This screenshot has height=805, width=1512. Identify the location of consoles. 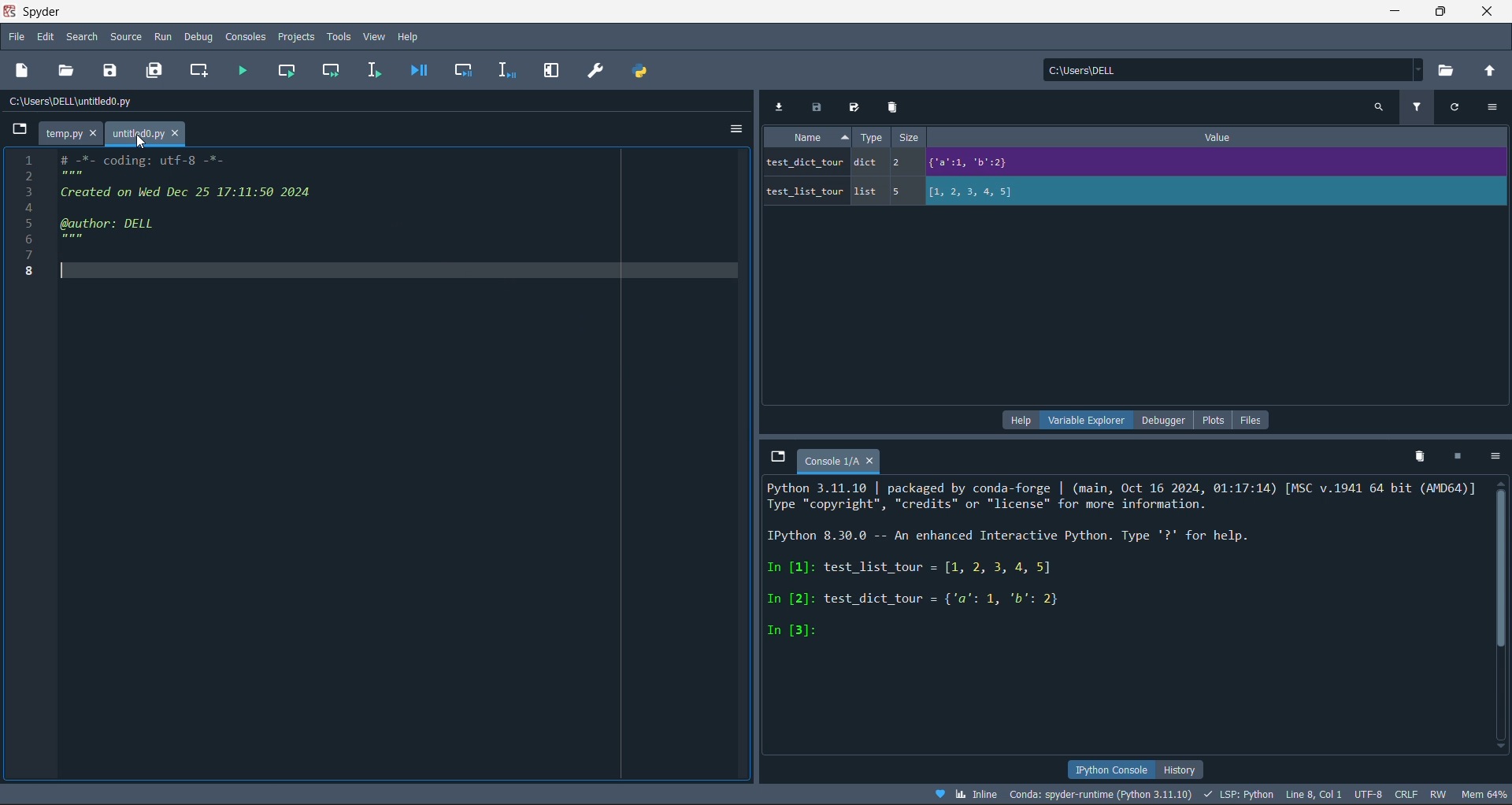
(243, 36).